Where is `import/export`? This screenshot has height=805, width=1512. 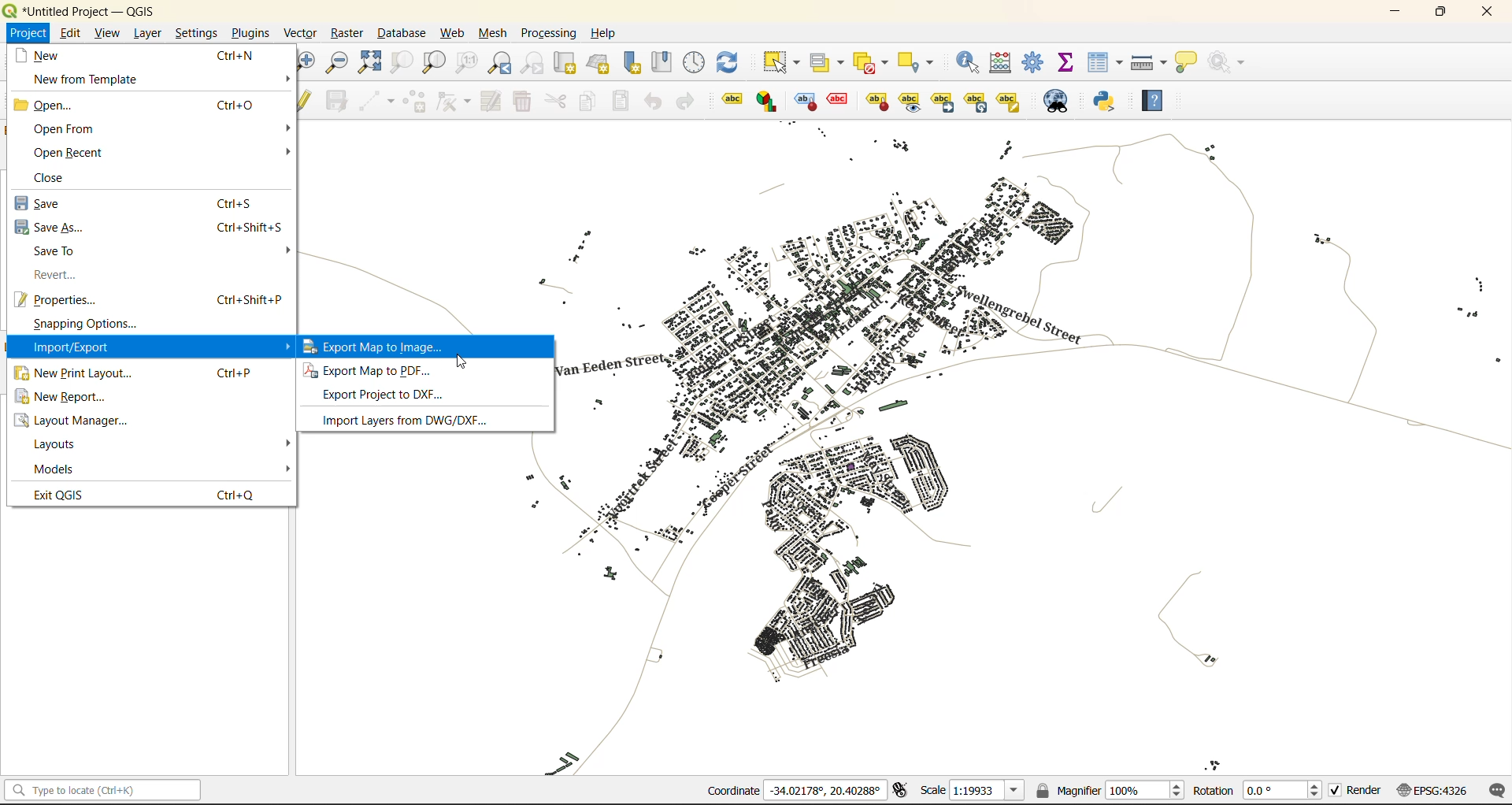 import/export is located at coordinates (70, 348).